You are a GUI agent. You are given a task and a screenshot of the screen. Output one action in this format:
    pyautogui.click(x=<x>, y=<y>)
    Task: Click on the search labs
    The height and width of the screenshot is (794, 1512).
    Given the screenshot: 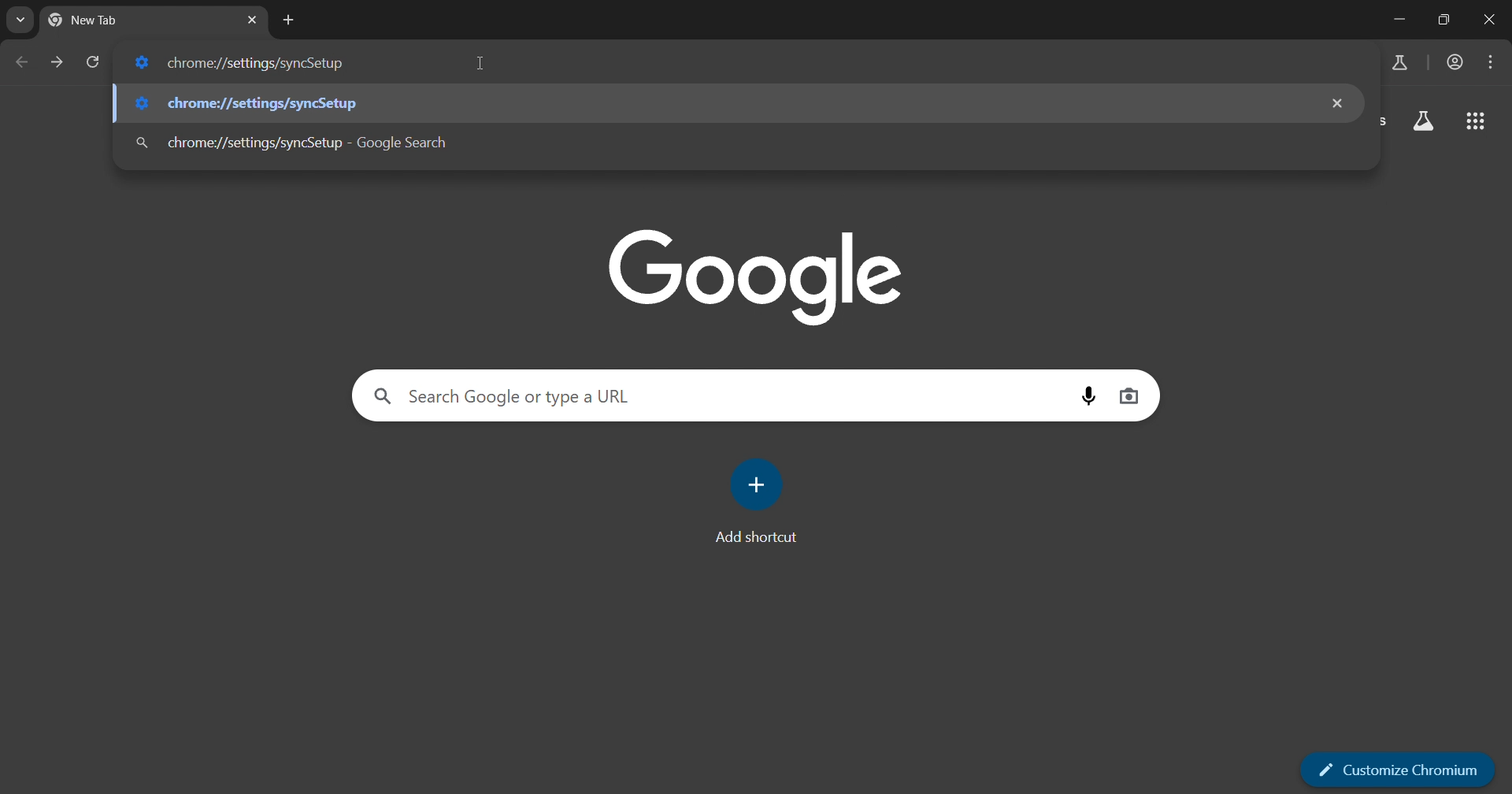 What is the action you would take?
    pyautogui.click(x=1421, y=121)
    